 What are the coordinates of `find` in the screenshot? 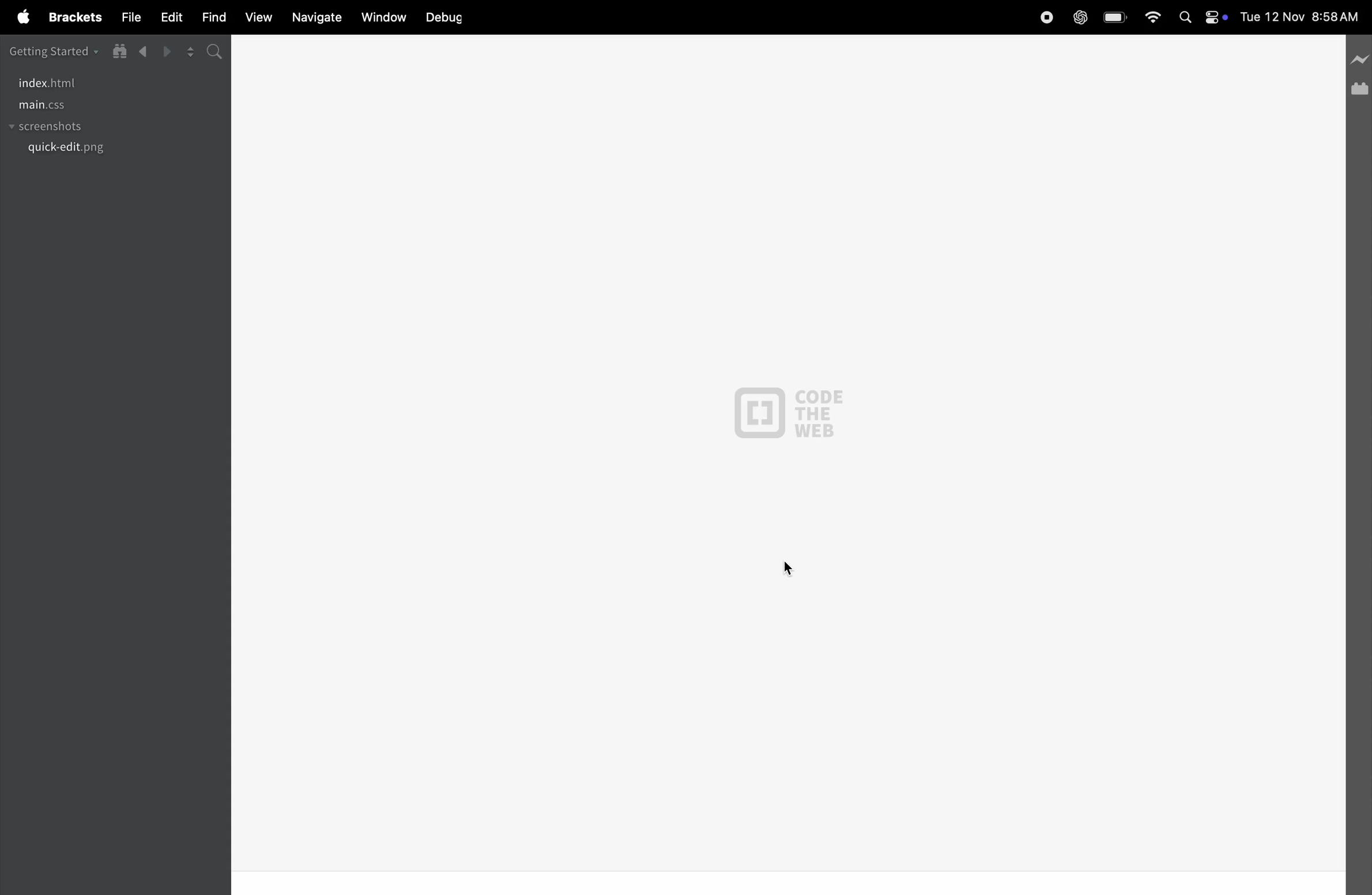 It's located at (212, 16).